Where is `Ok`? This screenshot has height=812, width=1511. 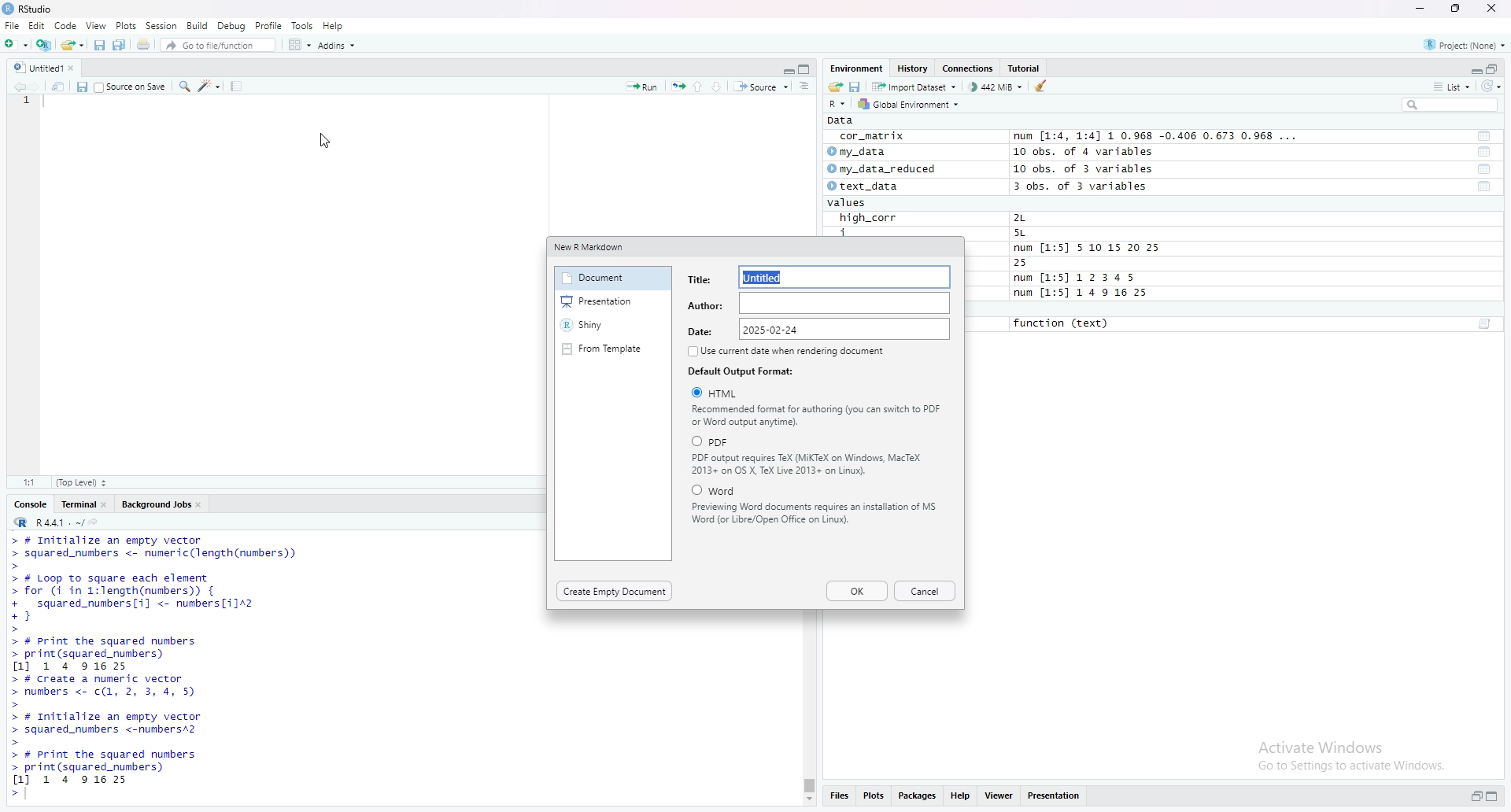
Ok is located at coordinates (854, 591).